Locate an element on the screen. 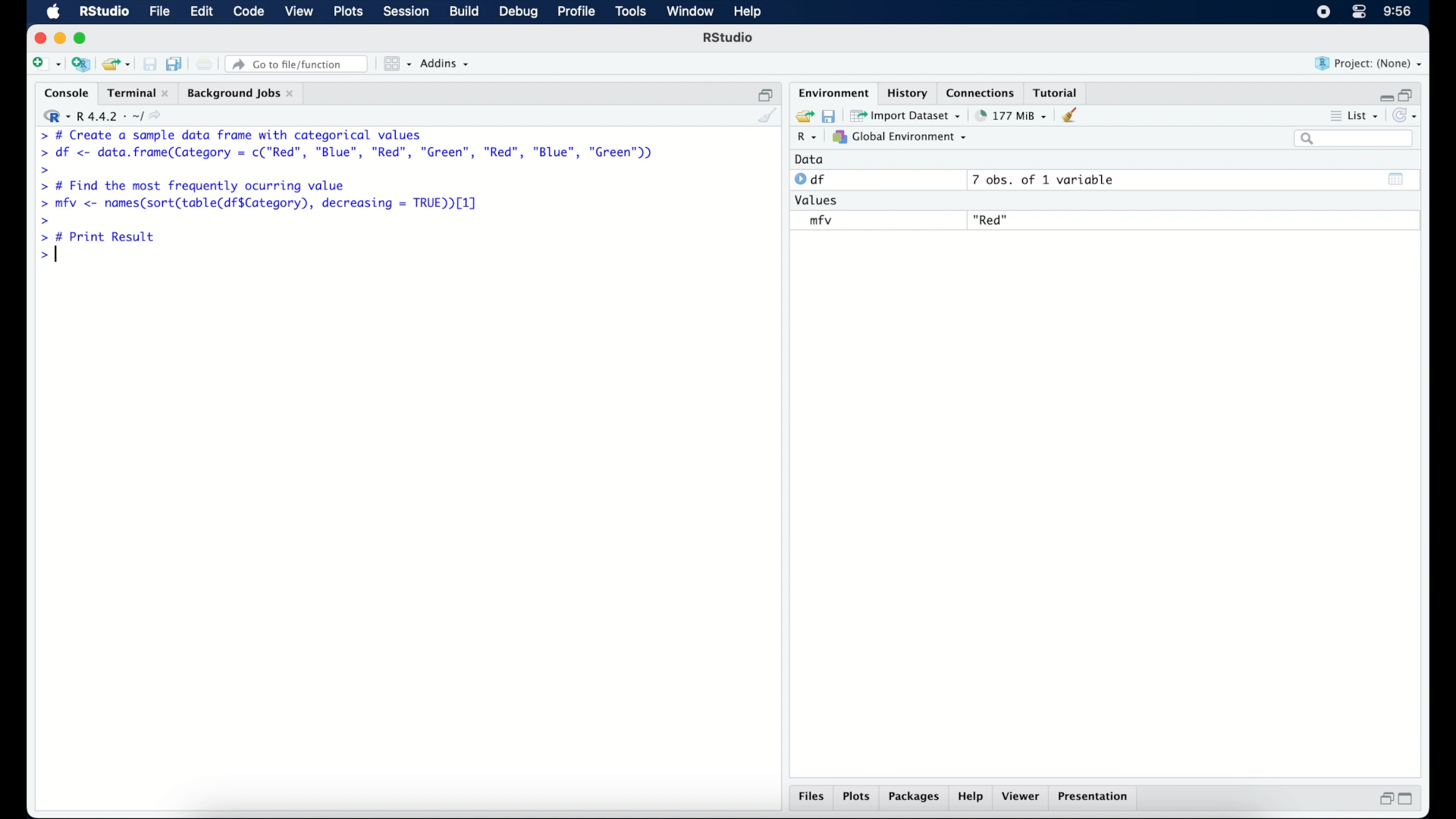 Image resolution: width=1456 pixels, height=819 pixels. console is located at coordinates (63, 92).